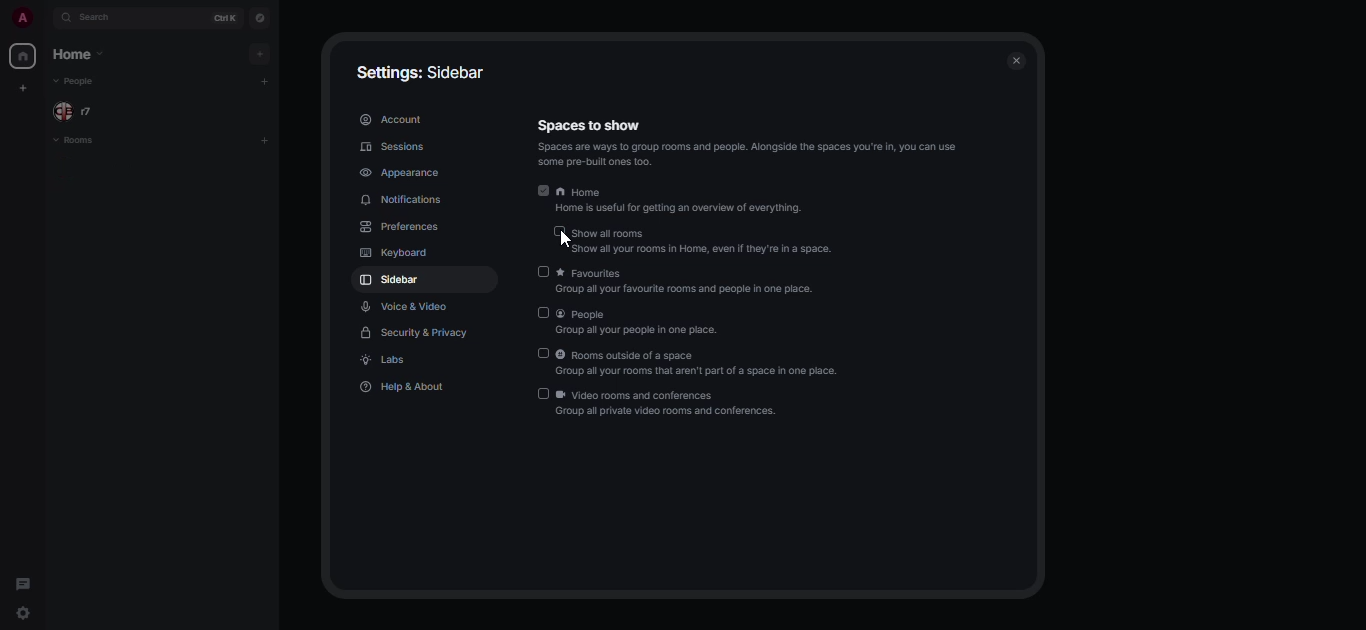 The width and height of the screenshot is (1366, 630). Describe the element at coordinates (417, 332) in the screenshot. I see `security & privacy` at that location.